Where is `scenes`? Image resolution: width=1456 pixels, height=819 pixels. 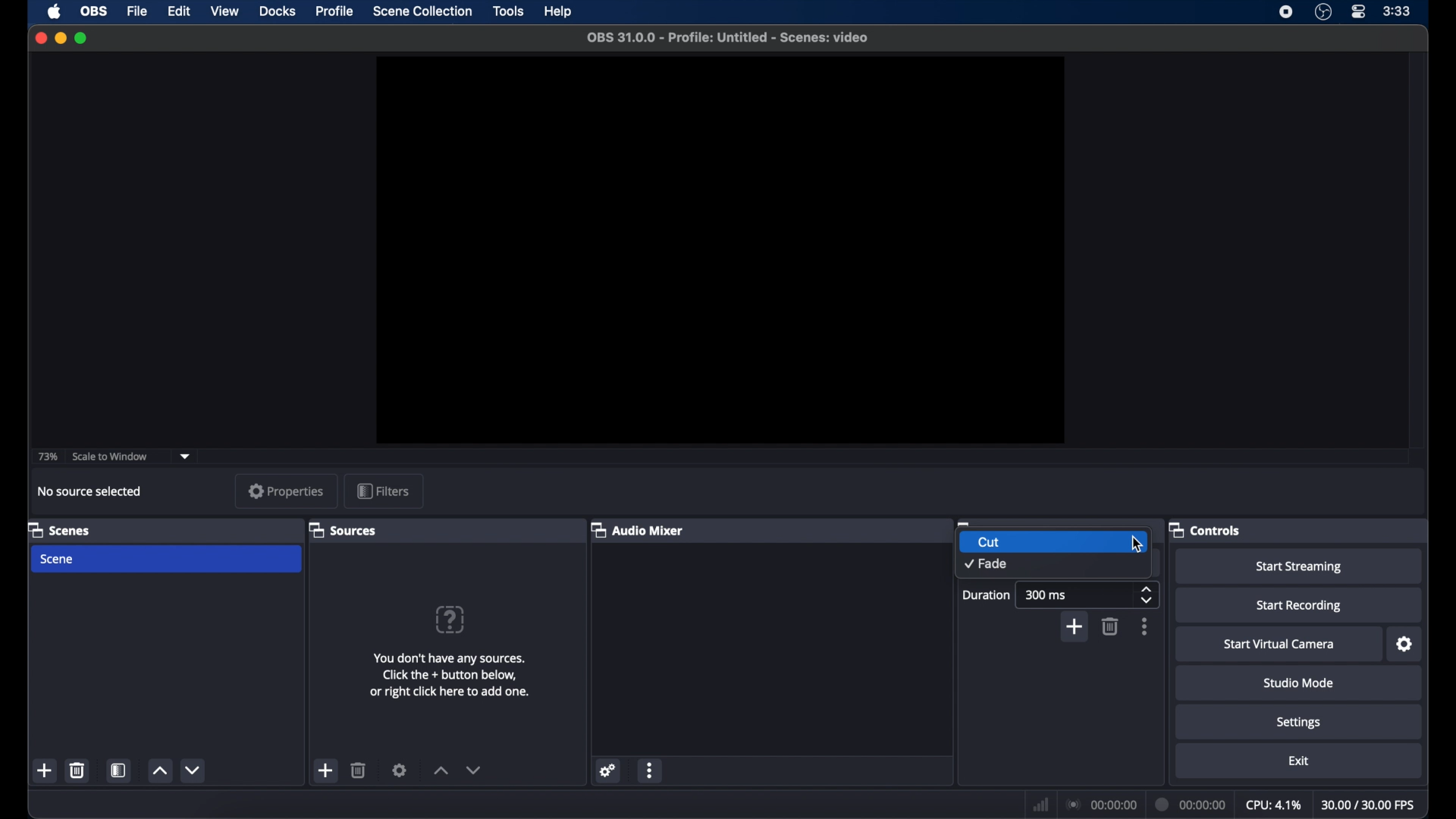
scenes is located at coordinates (58, 529).